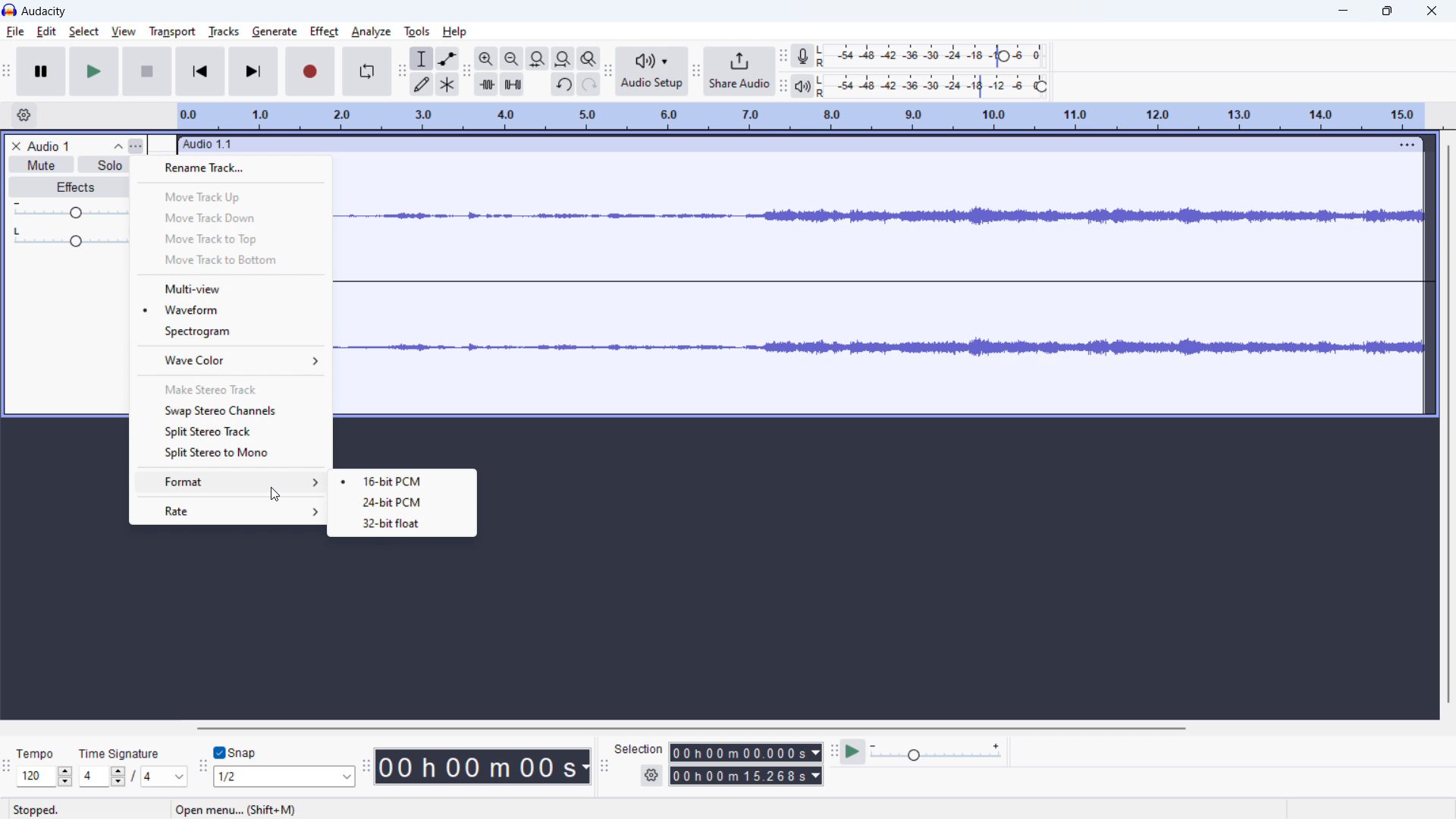 This screenshot has width=1456, height=819. What do you see at coordinates (15, 146) in the screenshot?
I see `delete audio` at bounding box center [15, 146].